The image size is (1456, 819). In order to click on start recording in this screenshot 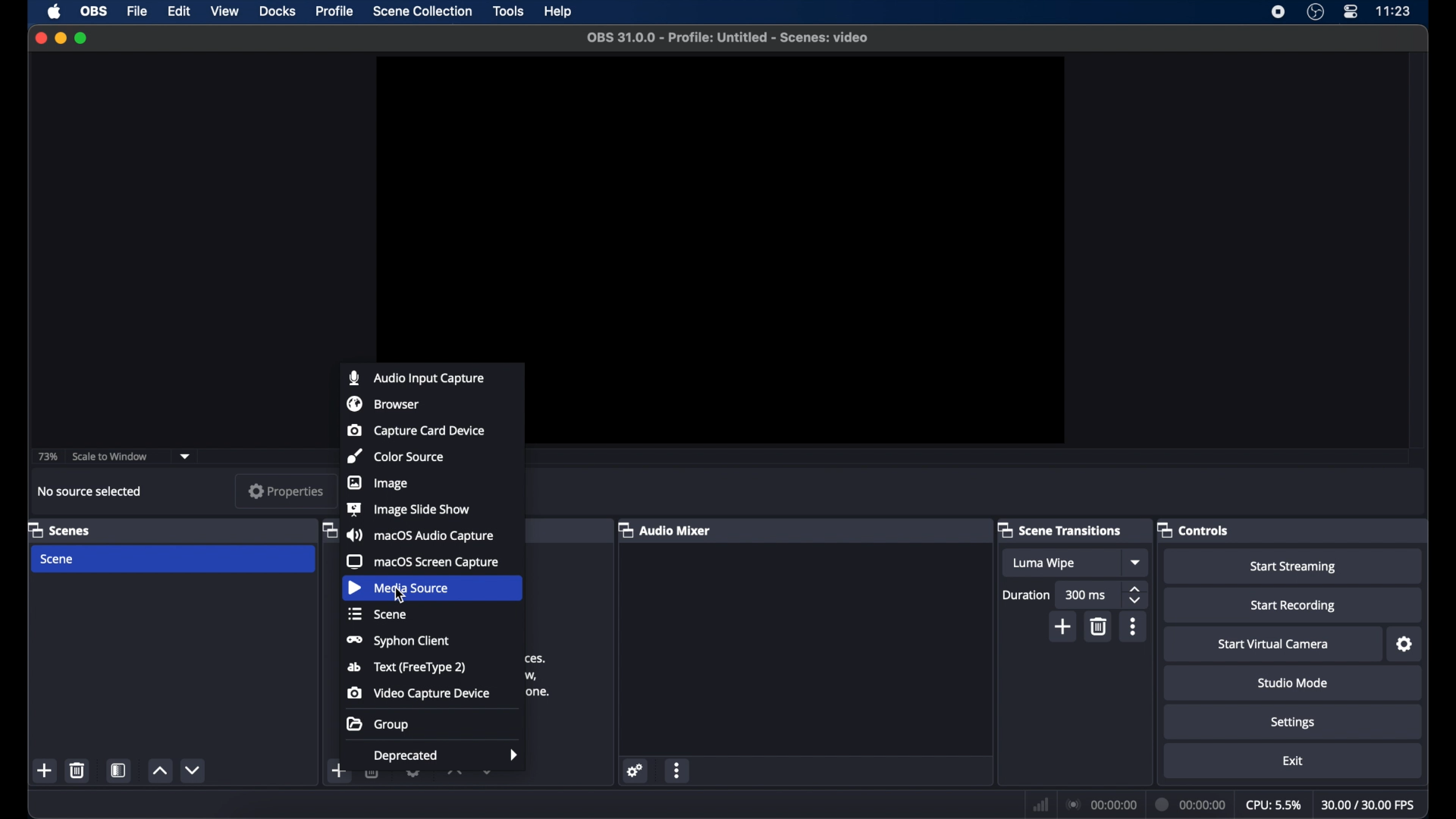, I will do `click(1294, 606)`.